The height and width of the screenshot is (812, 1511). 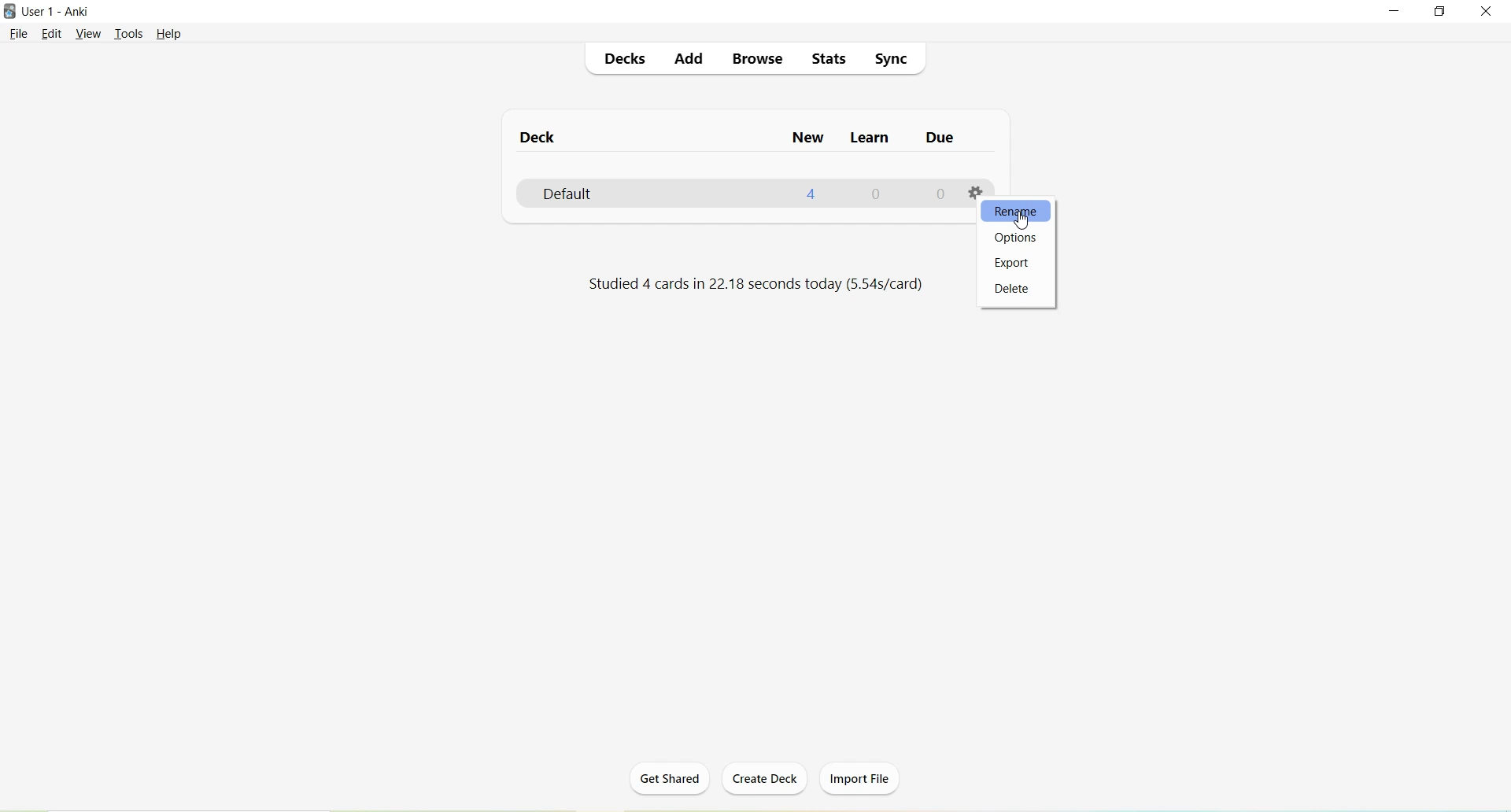 I want to click on 4, so click(x=812, y=194).